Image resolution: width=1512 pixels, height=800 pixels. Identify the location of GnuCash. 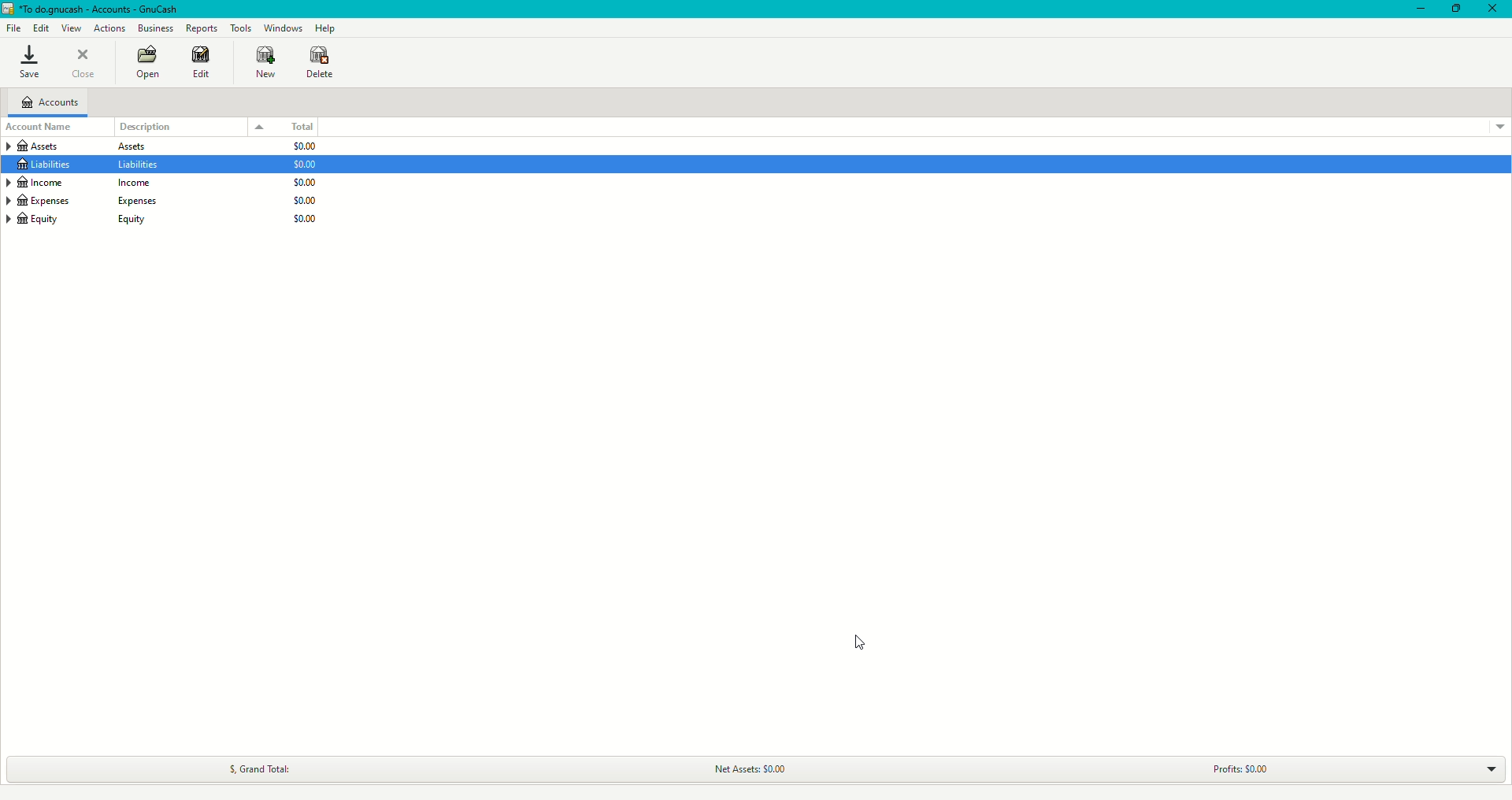
(97, 10).